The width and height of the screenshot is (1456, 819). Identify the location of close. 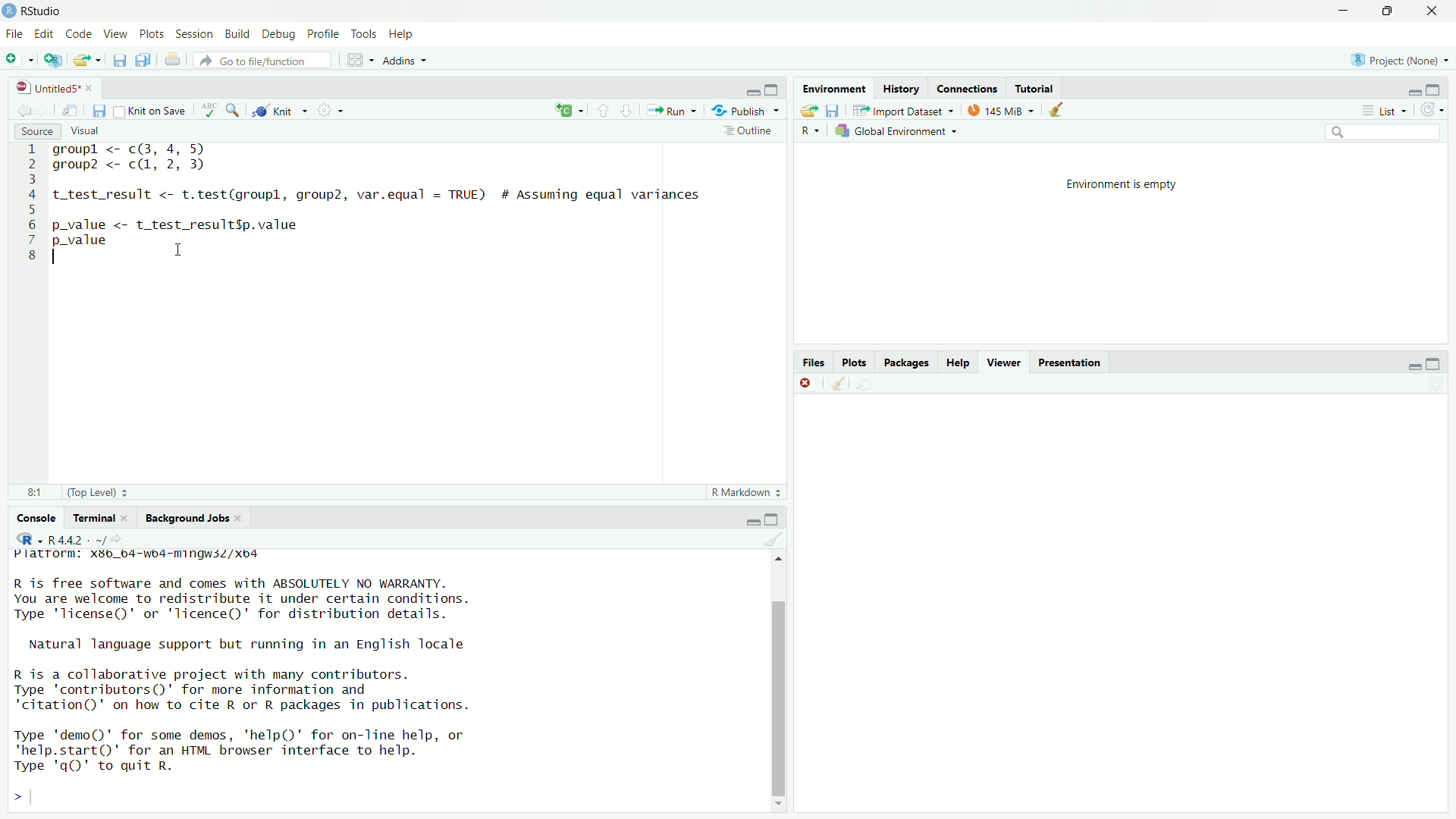
(1432, 14).